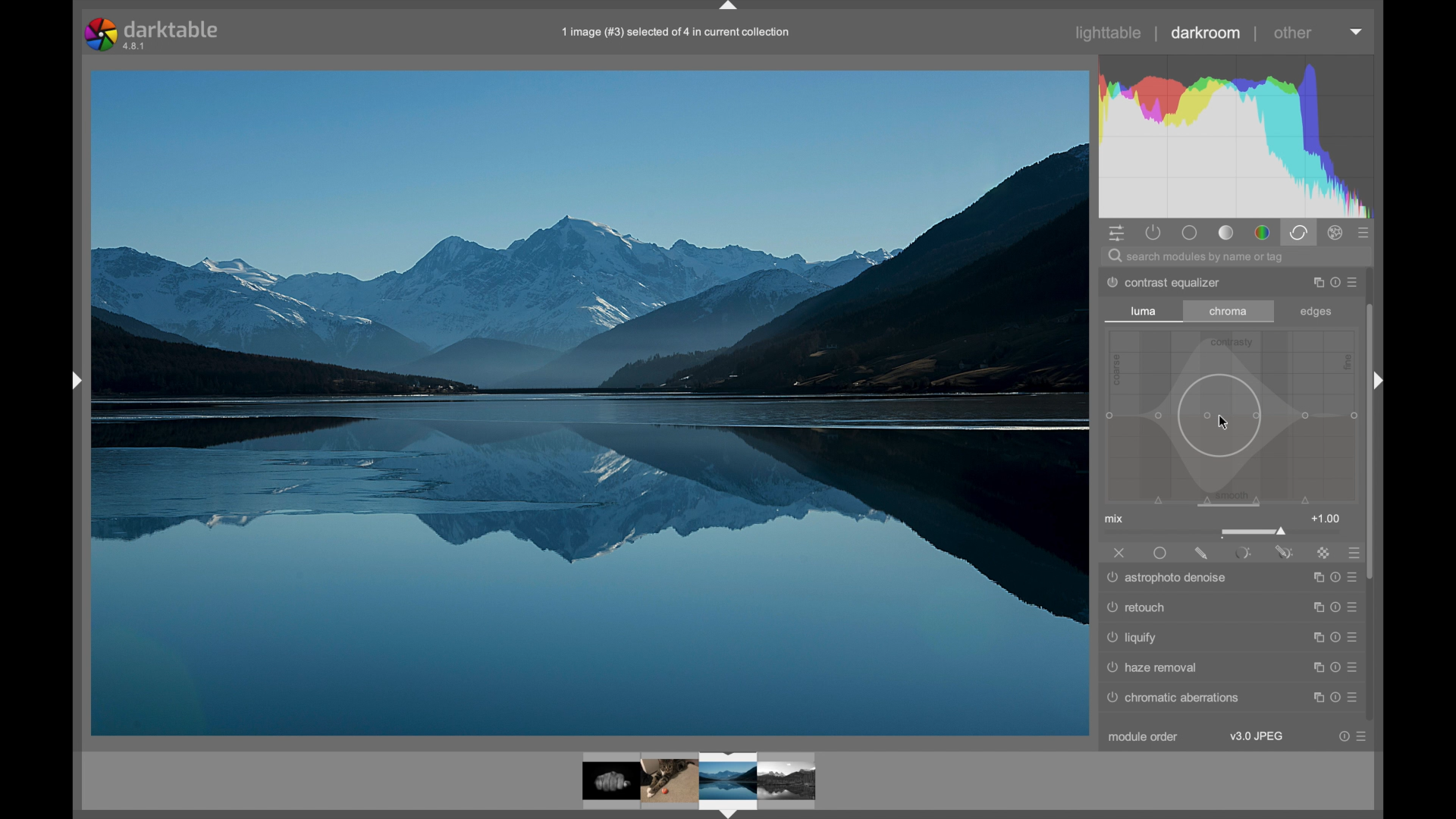  Describe the element at coordinates (1185, 698) in the screenshot. I see `© chromatic aberrations` at that location.